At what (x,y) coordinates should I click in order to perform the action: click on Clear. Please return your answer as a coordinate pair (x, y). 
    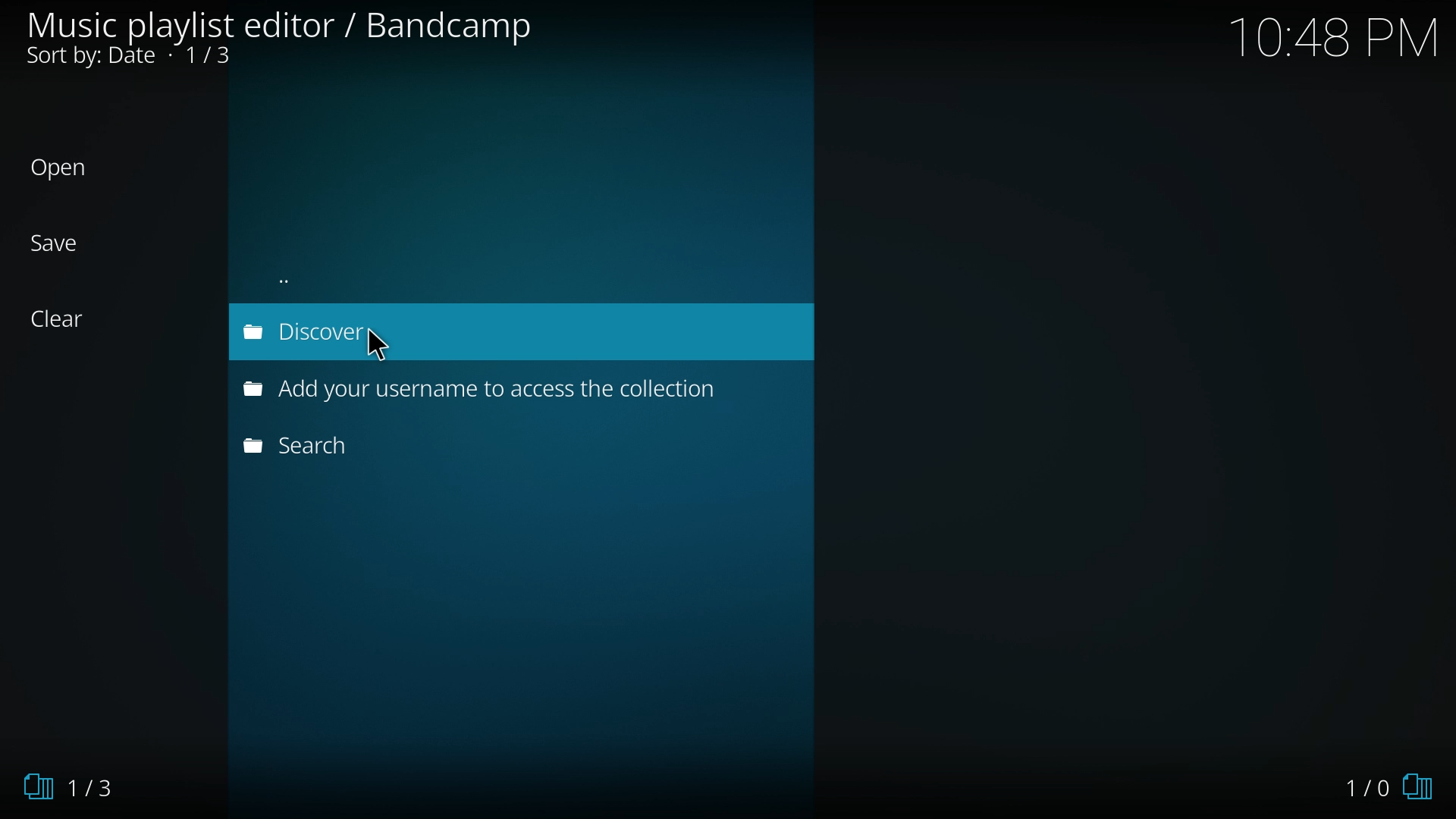
    Looking at the image, I should click on (71, 319).